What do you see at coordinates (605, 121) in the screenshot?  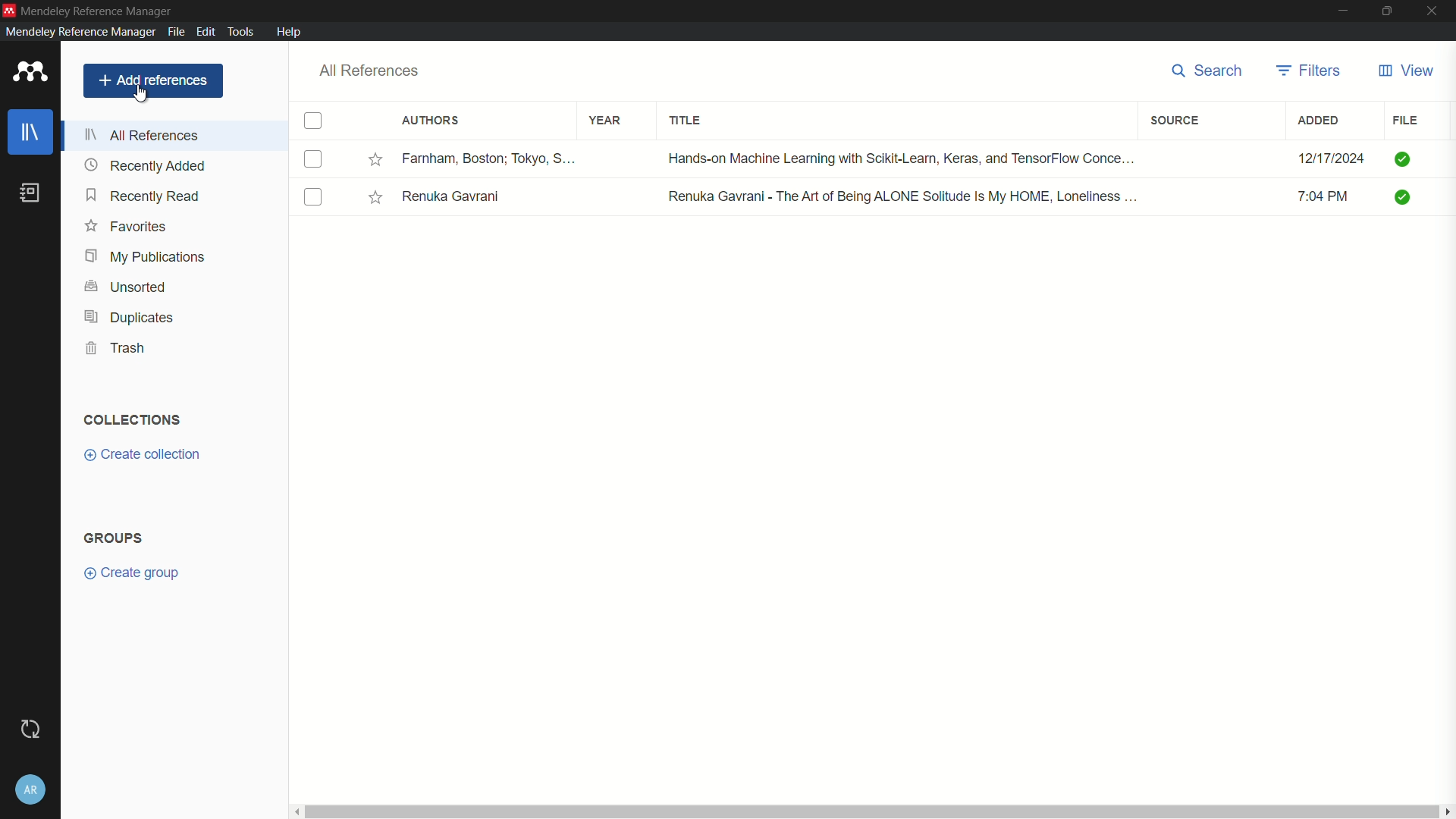 I see `year` at bounding box center [605, 121].